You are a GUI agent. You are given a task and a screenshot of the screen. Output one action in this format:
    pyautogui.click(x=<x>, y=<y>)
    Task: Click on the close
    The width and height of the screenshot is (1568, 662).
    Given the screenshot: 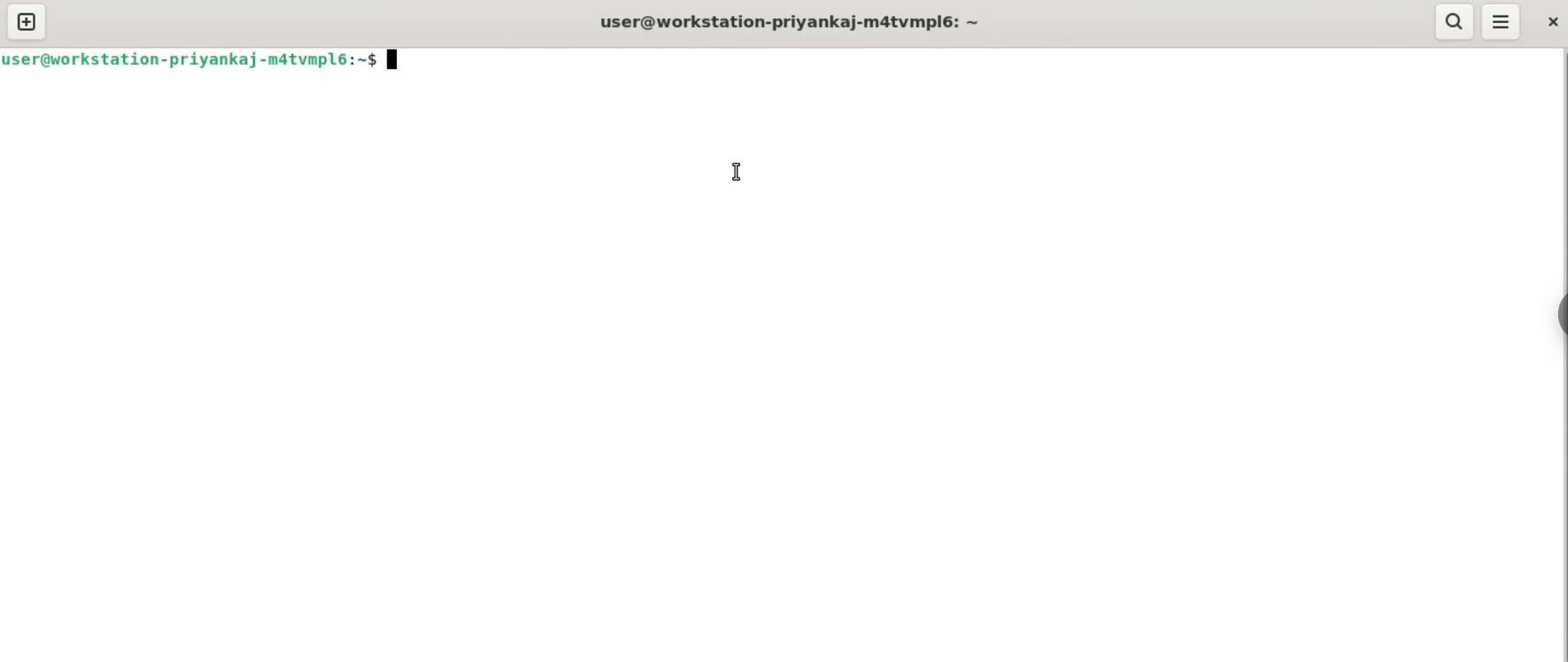 What is the action you would take?
    pyautogui.click(x=1551, y=22)
    